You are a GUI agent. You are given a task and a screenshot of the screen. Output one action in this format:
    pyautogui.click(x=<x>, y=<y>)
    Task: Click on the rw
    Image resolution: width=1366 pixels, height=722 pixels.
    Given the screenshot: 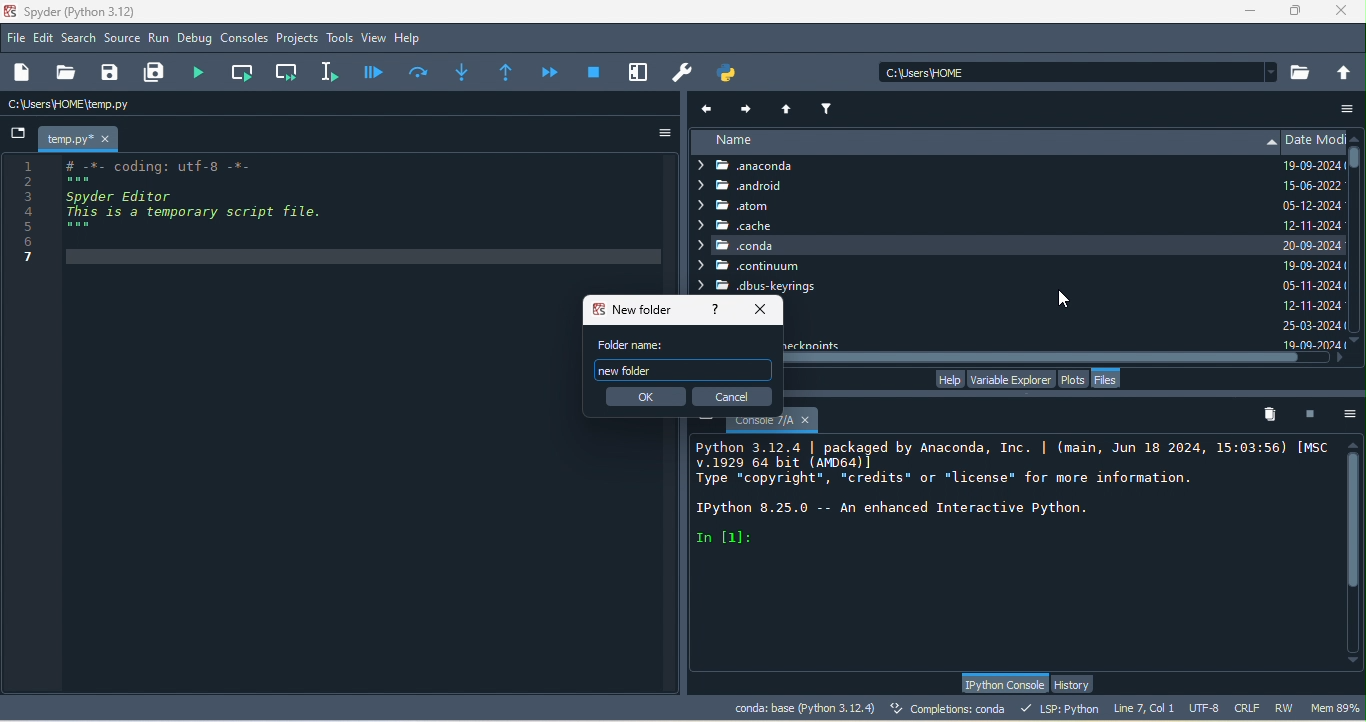 What is the action you would take?
    pyautogui.click(x=1286, y=708)
    